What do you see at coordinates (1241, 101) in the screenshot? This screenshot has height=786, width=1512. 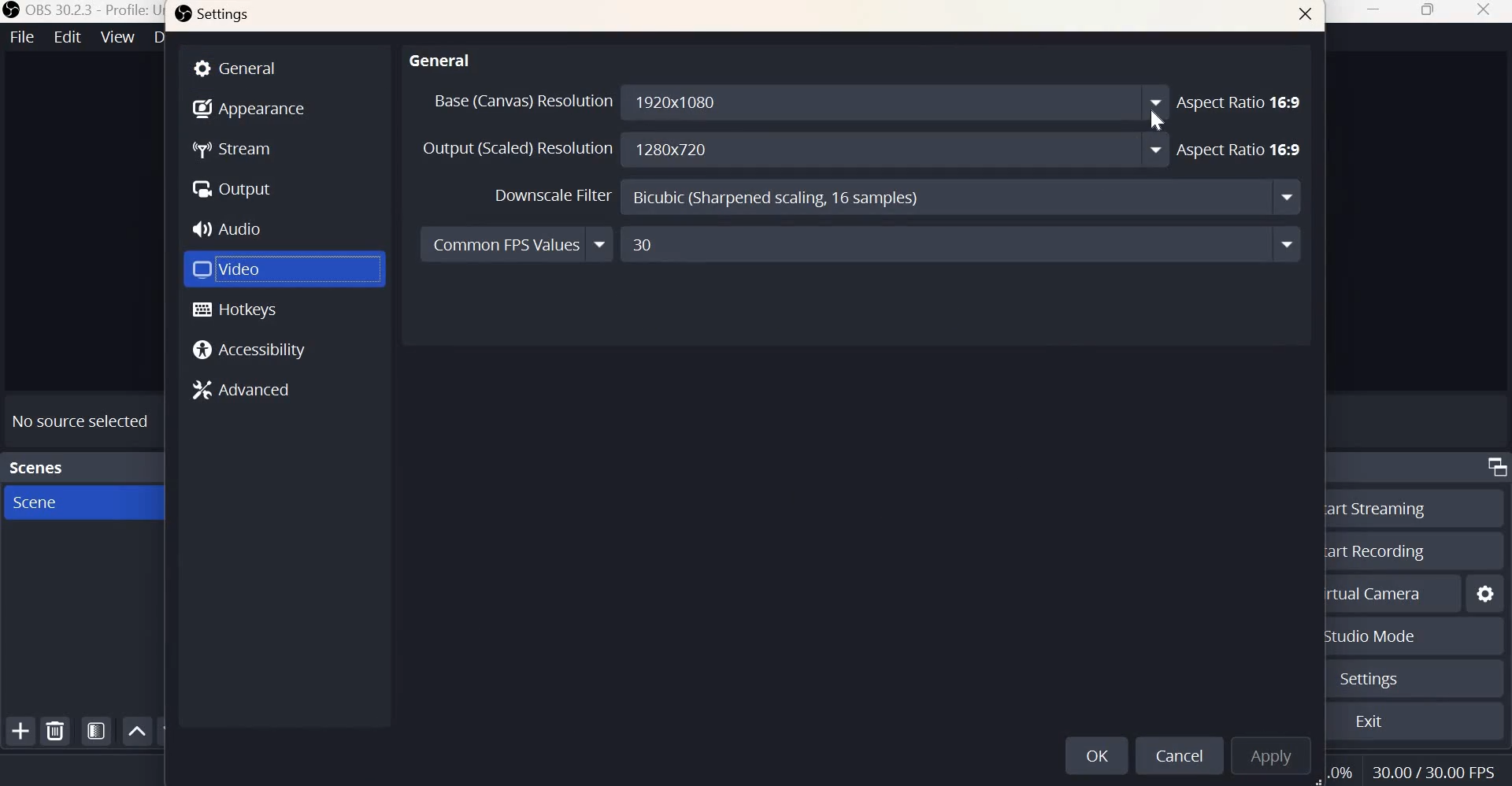 I see `Aspect 16:9` at bounding box center [1241, 101].